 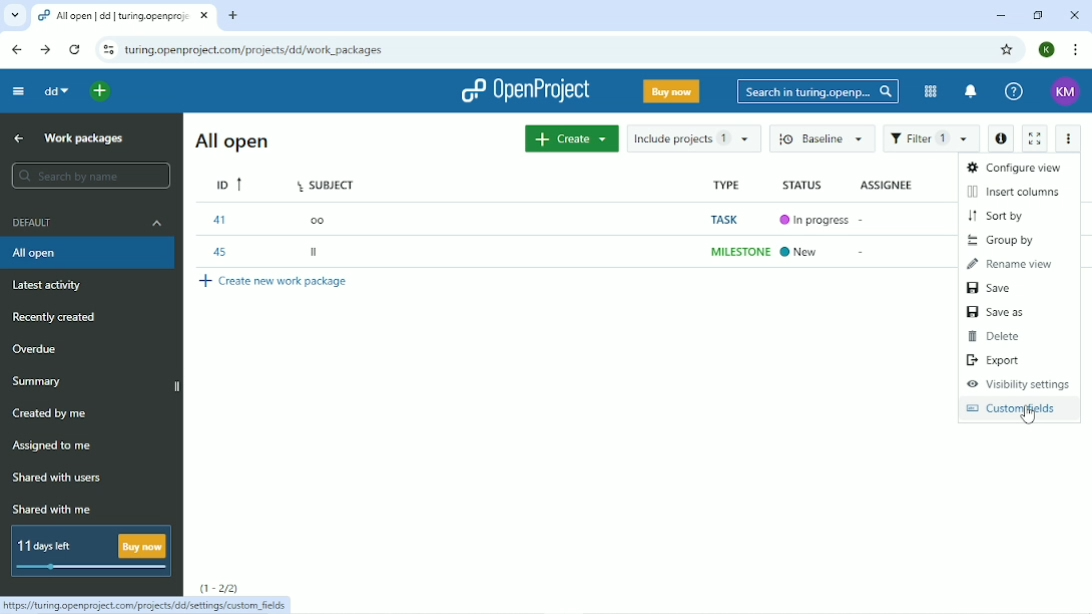 What do you see at coordinates (887, 184) in the screenshot?
I see `Assignee` at bounding box center [887, 184].